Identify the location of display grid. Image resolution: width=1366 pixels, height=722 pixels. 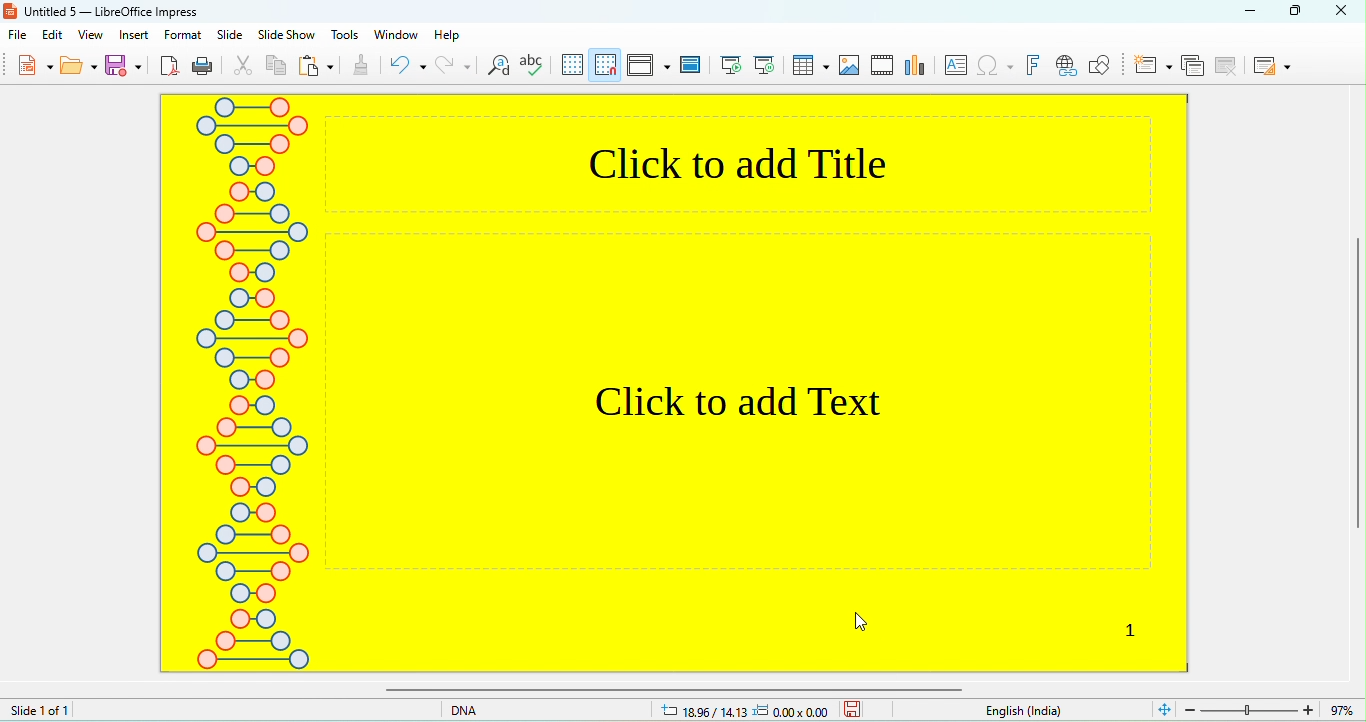
(573, 64).